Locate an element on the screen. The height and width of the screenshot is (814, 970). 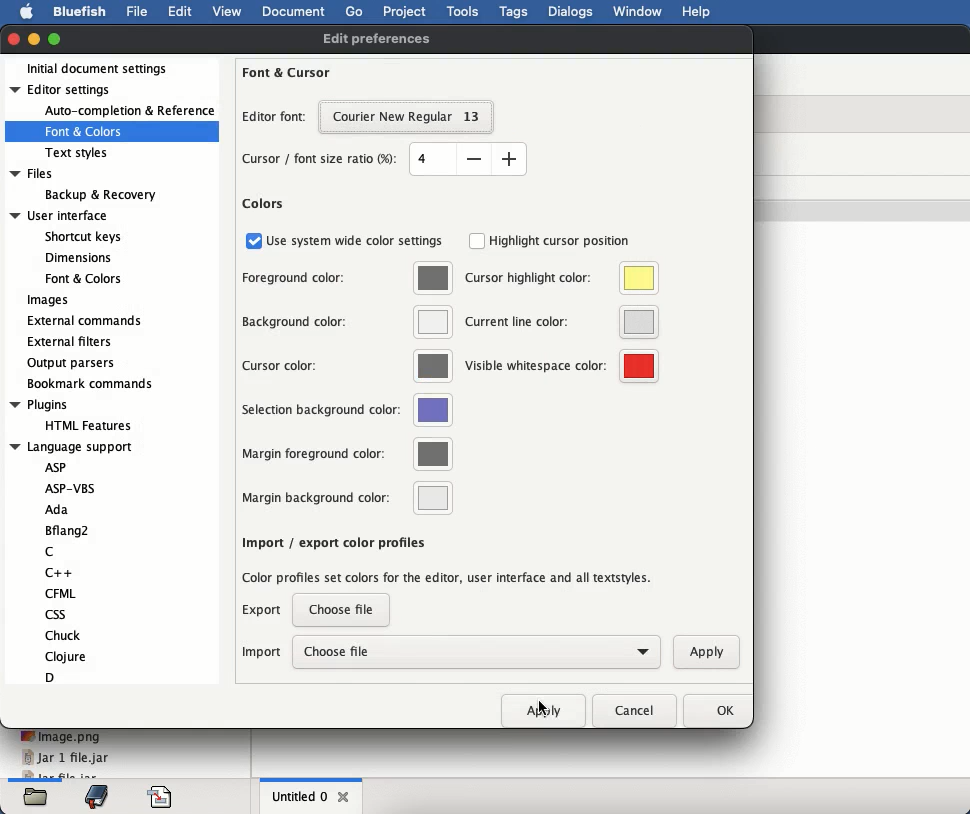
plugins  is located at coordinates (76, 415).